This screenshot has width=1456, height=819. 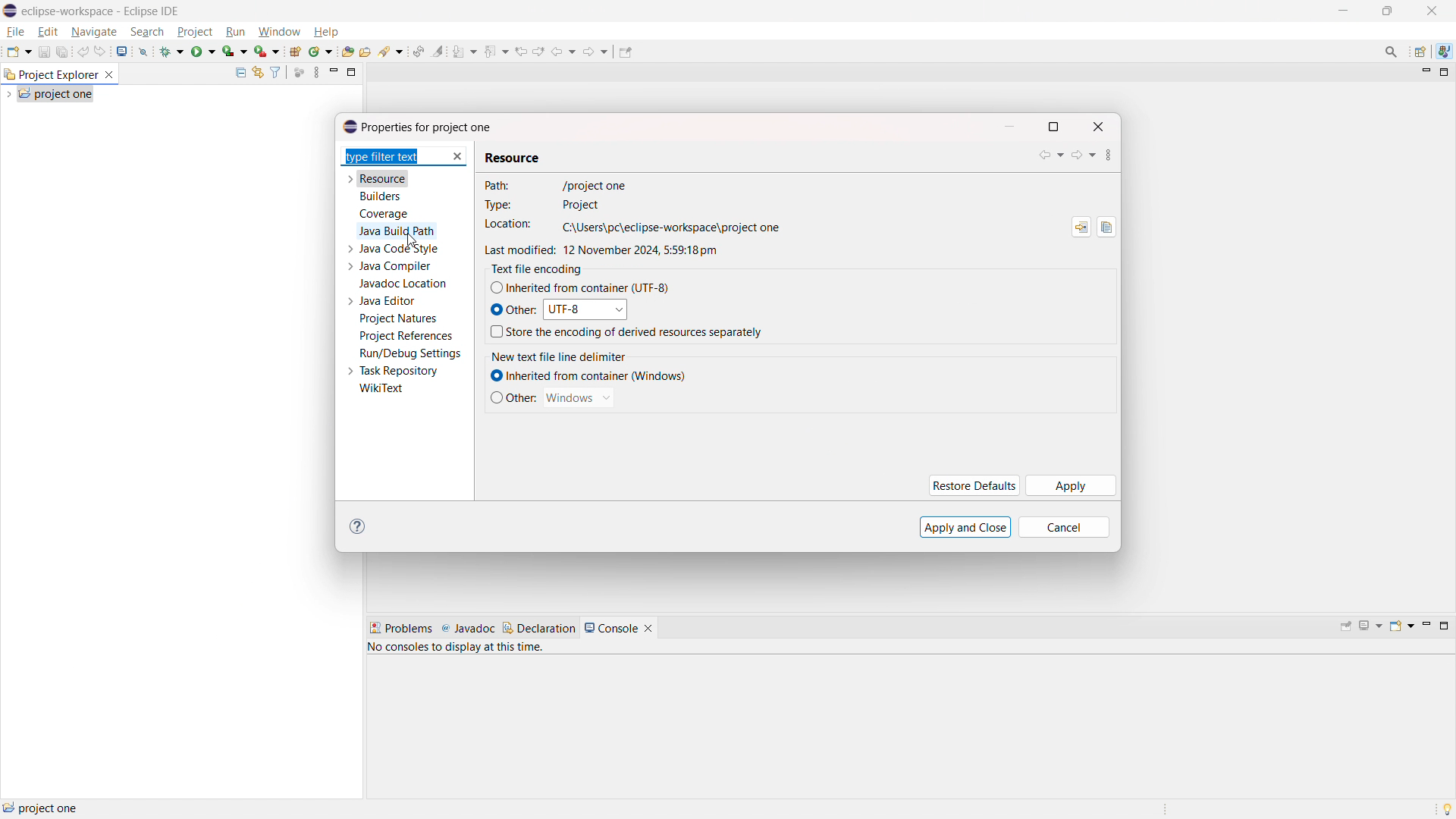 I want to click on forward, so click(x=1085, y=156).